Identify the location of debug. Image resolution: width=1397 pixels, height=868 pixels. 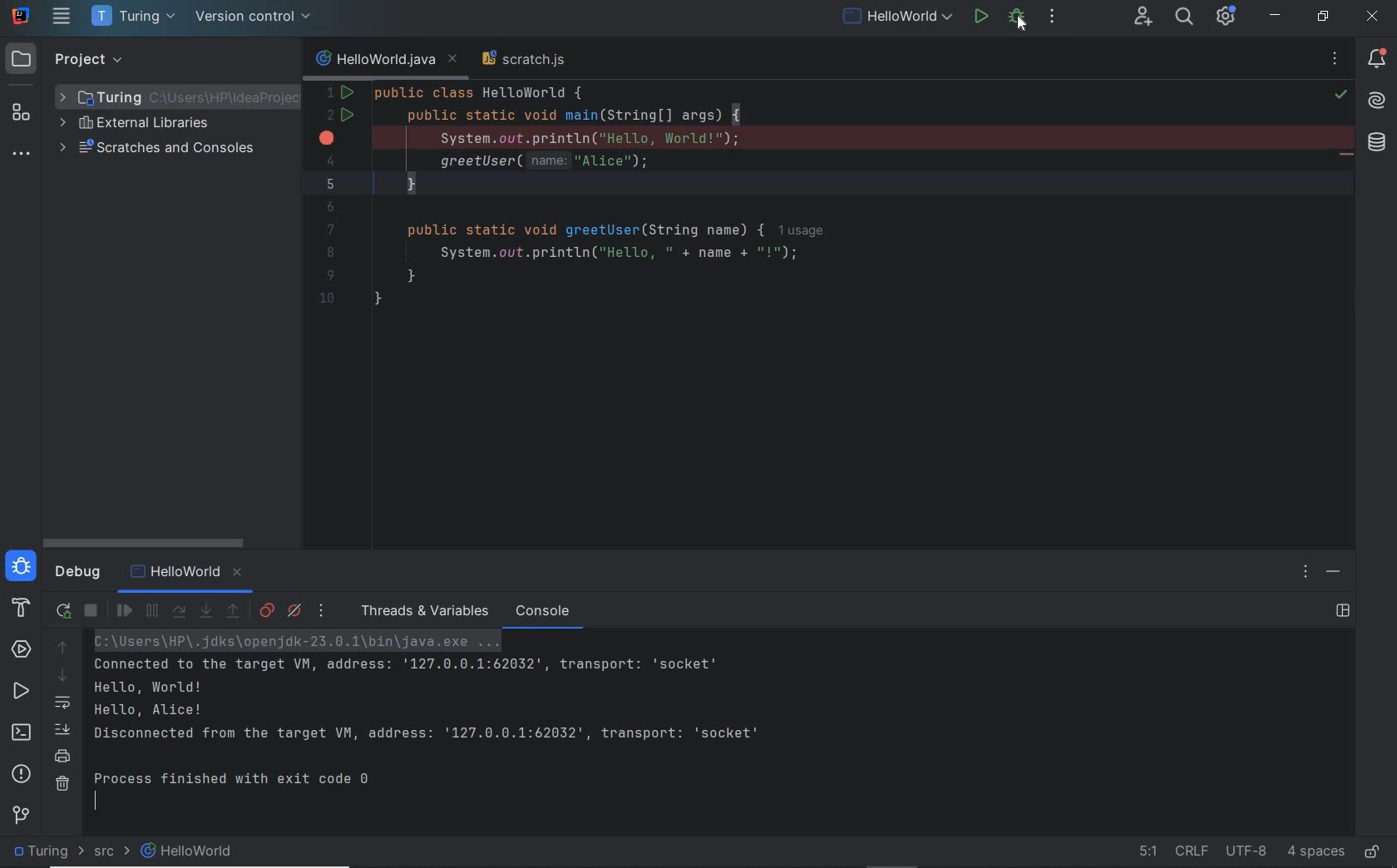
(77, 575).